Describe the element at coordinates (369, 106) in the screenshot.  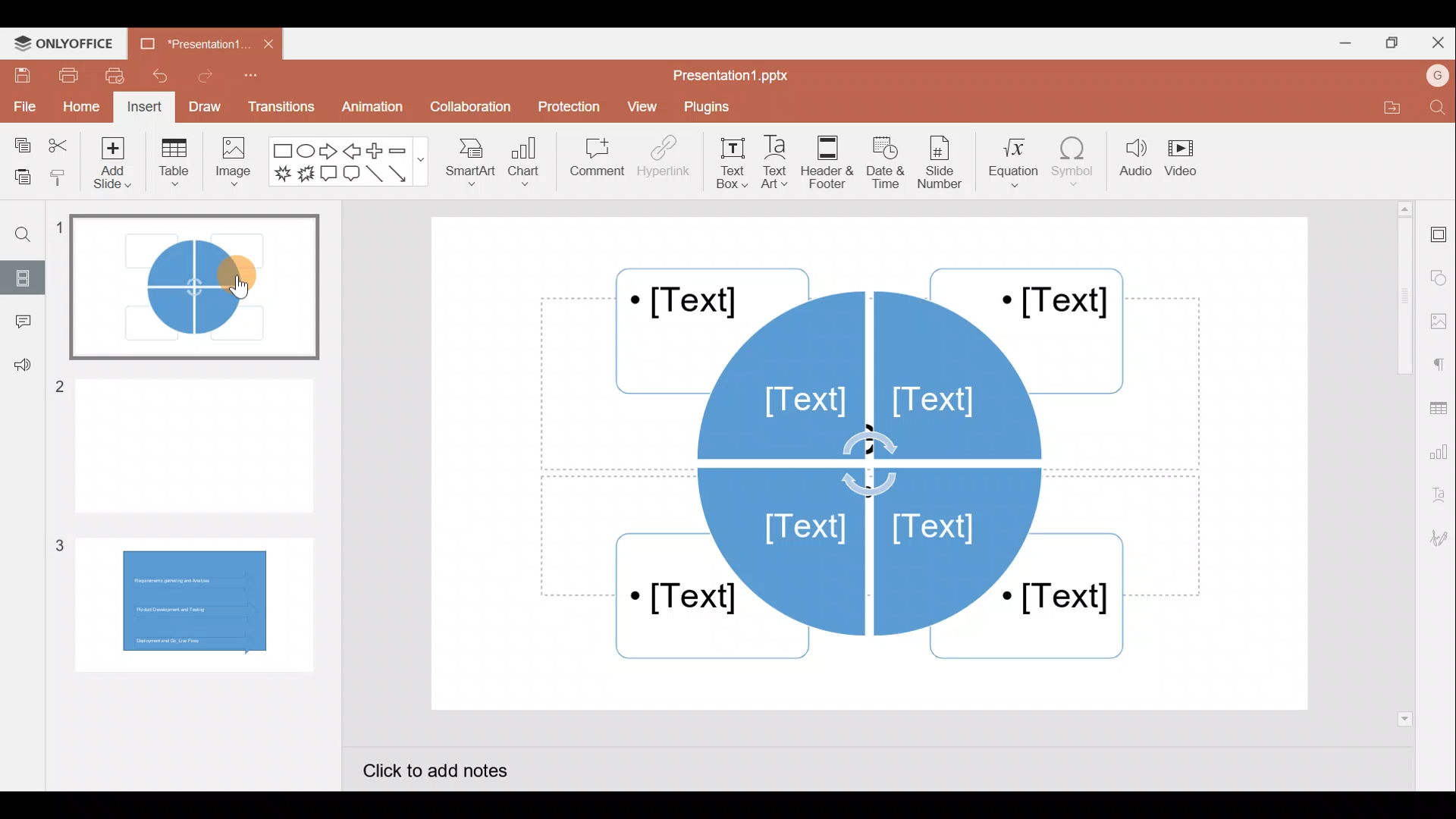
I see `Animation` at that location.